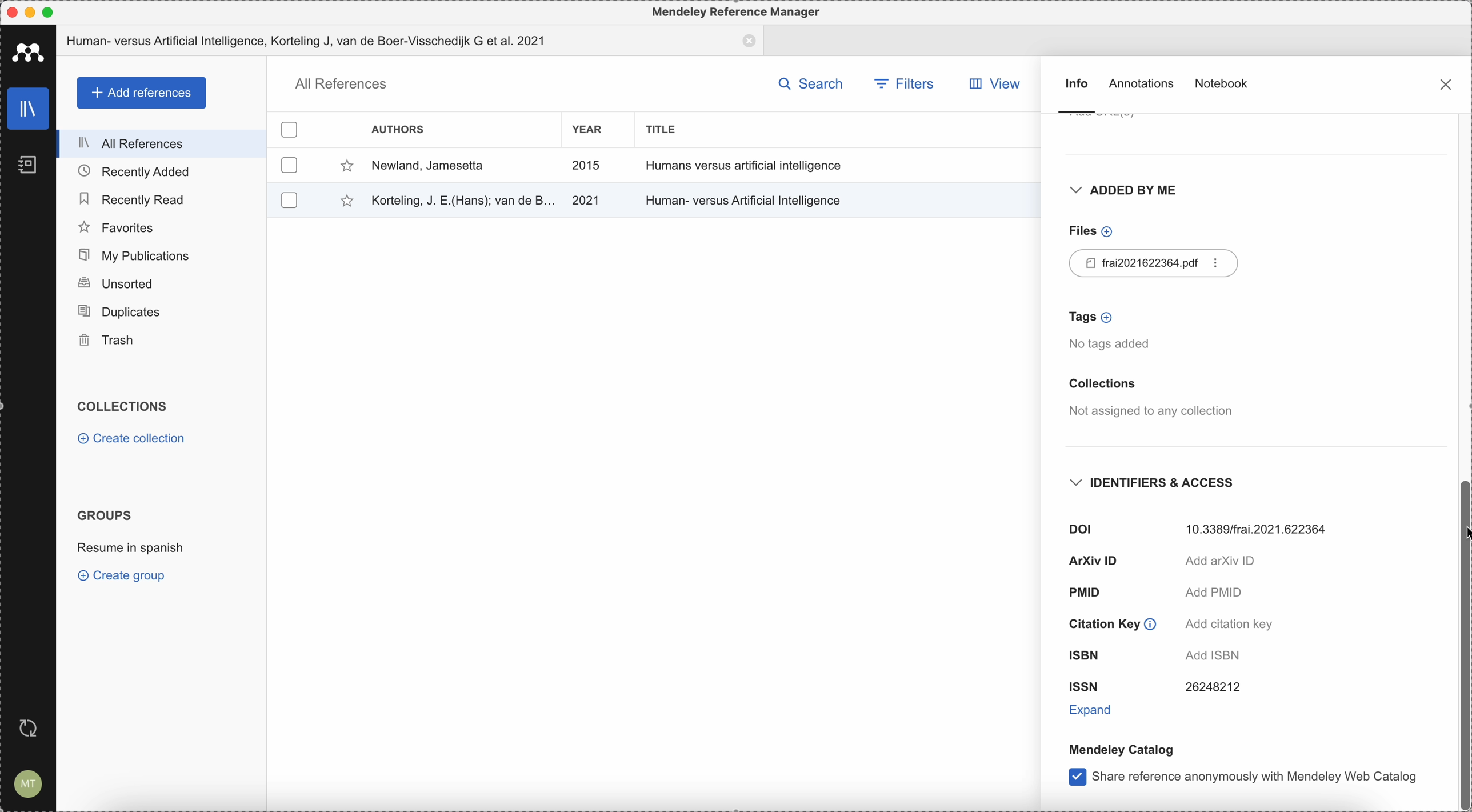  What do you see at coordinates (1154, 687) in the screenshot?
I see `ISSN 26248212` at bounding box center [1154, 687].